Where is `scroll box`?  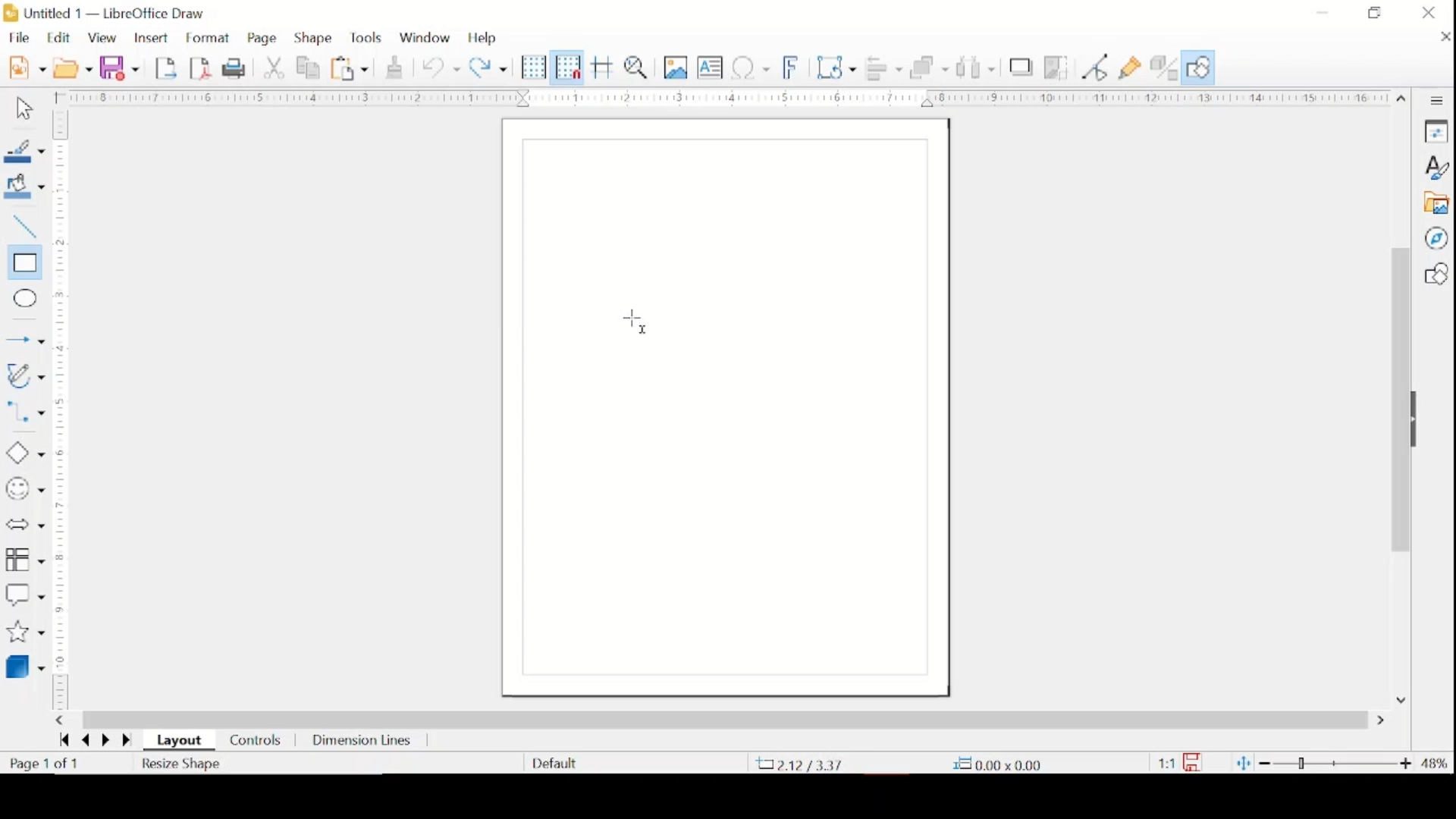
scroll box is located at coordinates (725, 719).